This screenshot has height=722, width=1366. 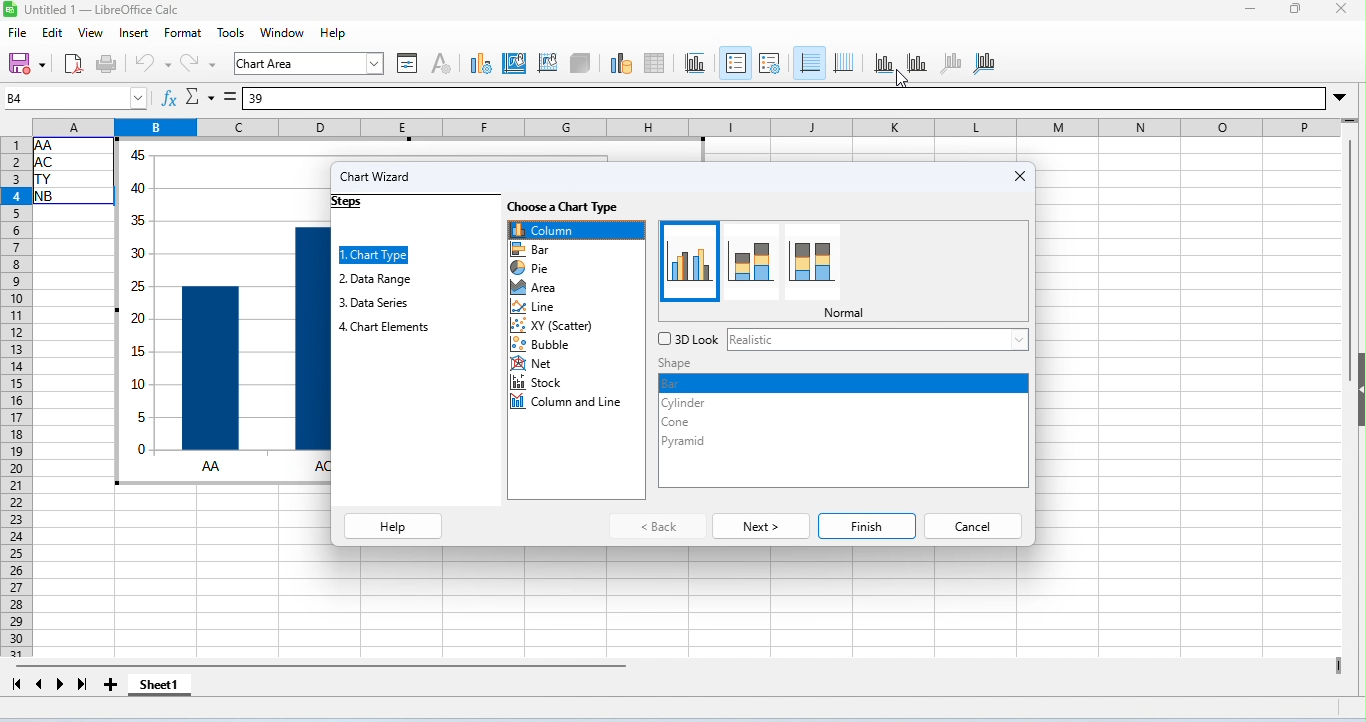 I want to click on tools, so click(x=231, y=32).